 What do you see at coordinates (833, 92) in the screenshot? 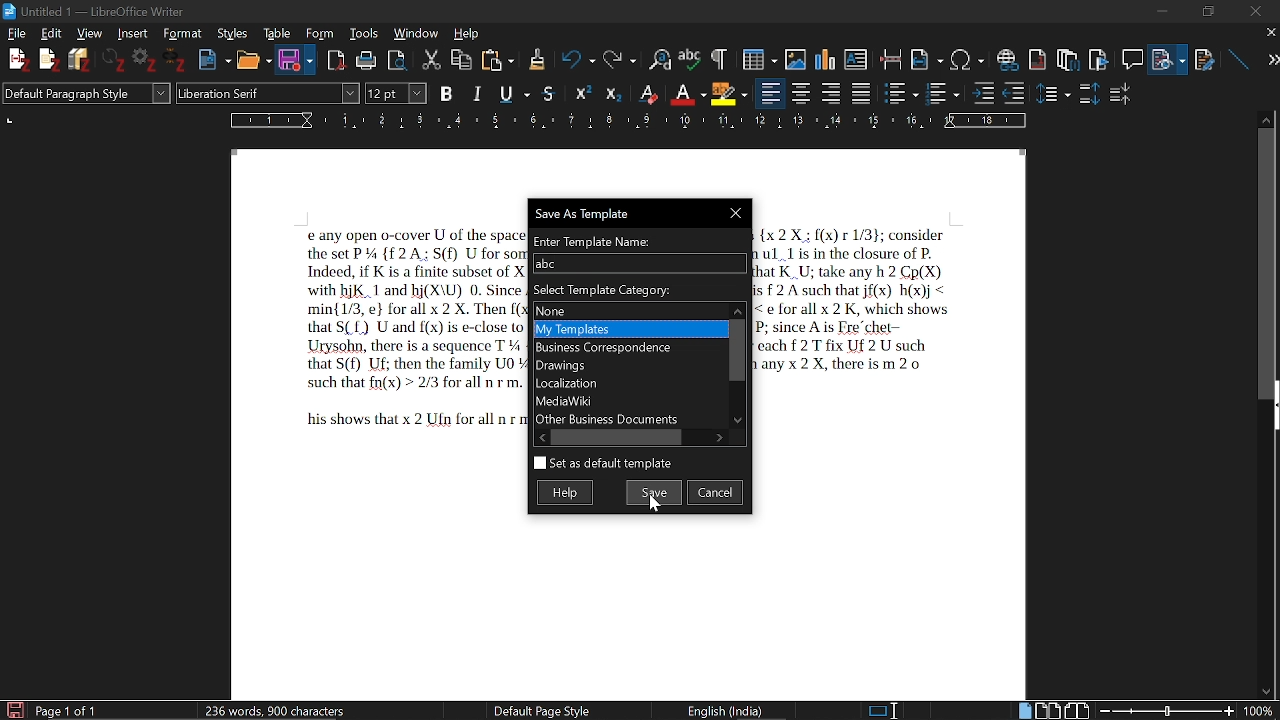
I see `Align right` at bounding box center [833, 92].